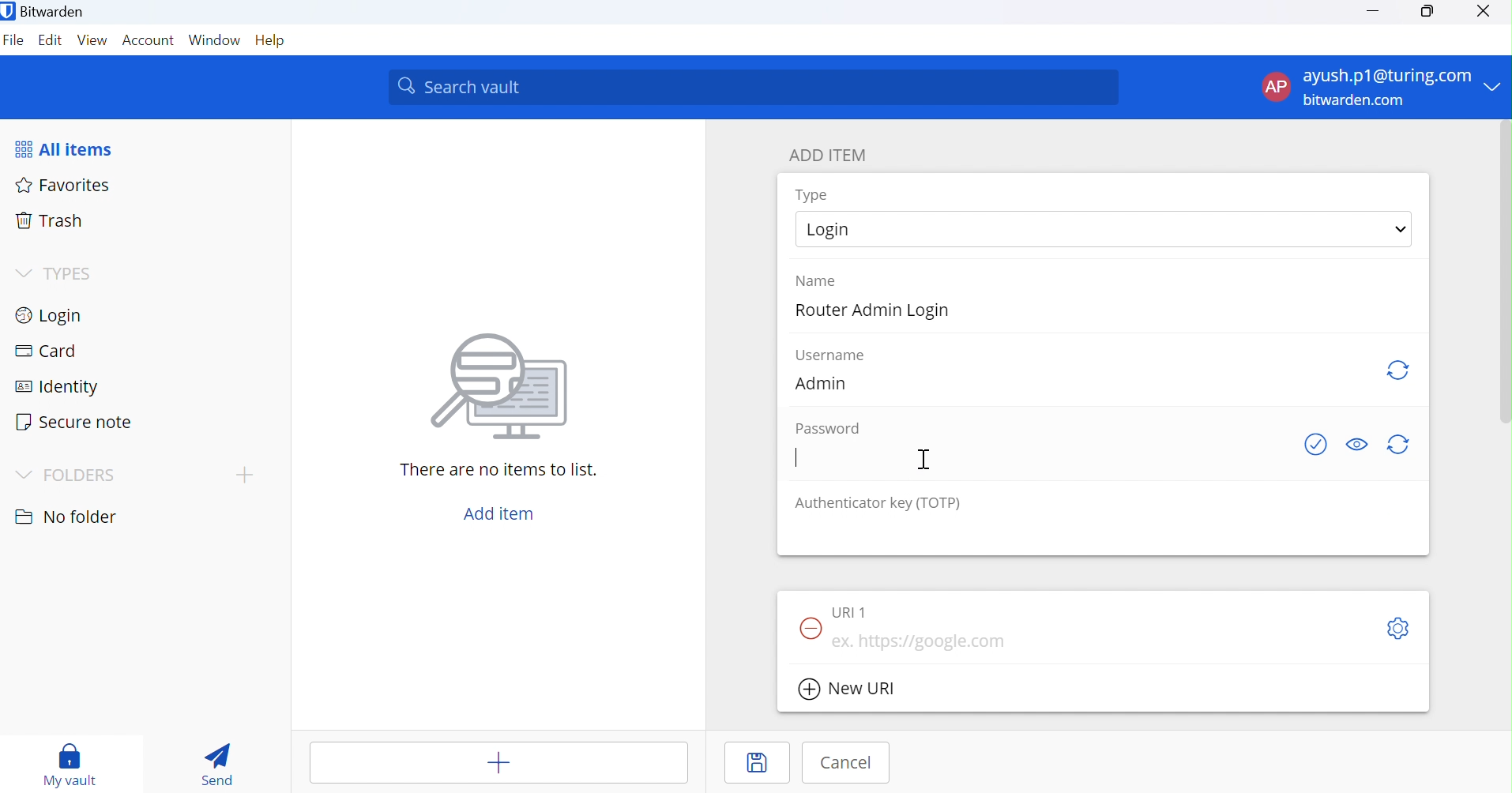  What do you see at coordinates (1397, 371) in the screenshot?
I see `Regenerate username` at bounding box center [1397, 371].